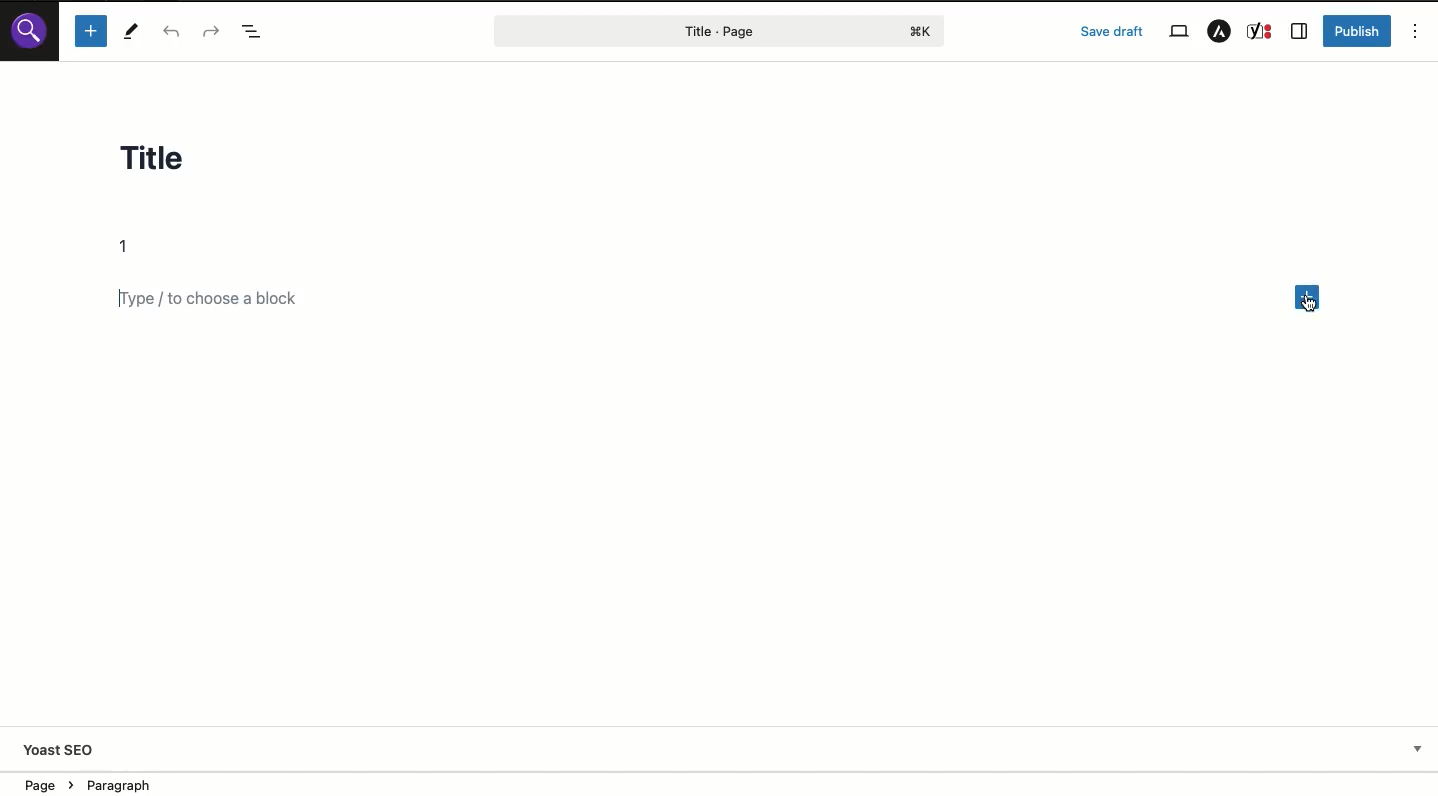  I want to click on Yoast, so click(1261, 32).